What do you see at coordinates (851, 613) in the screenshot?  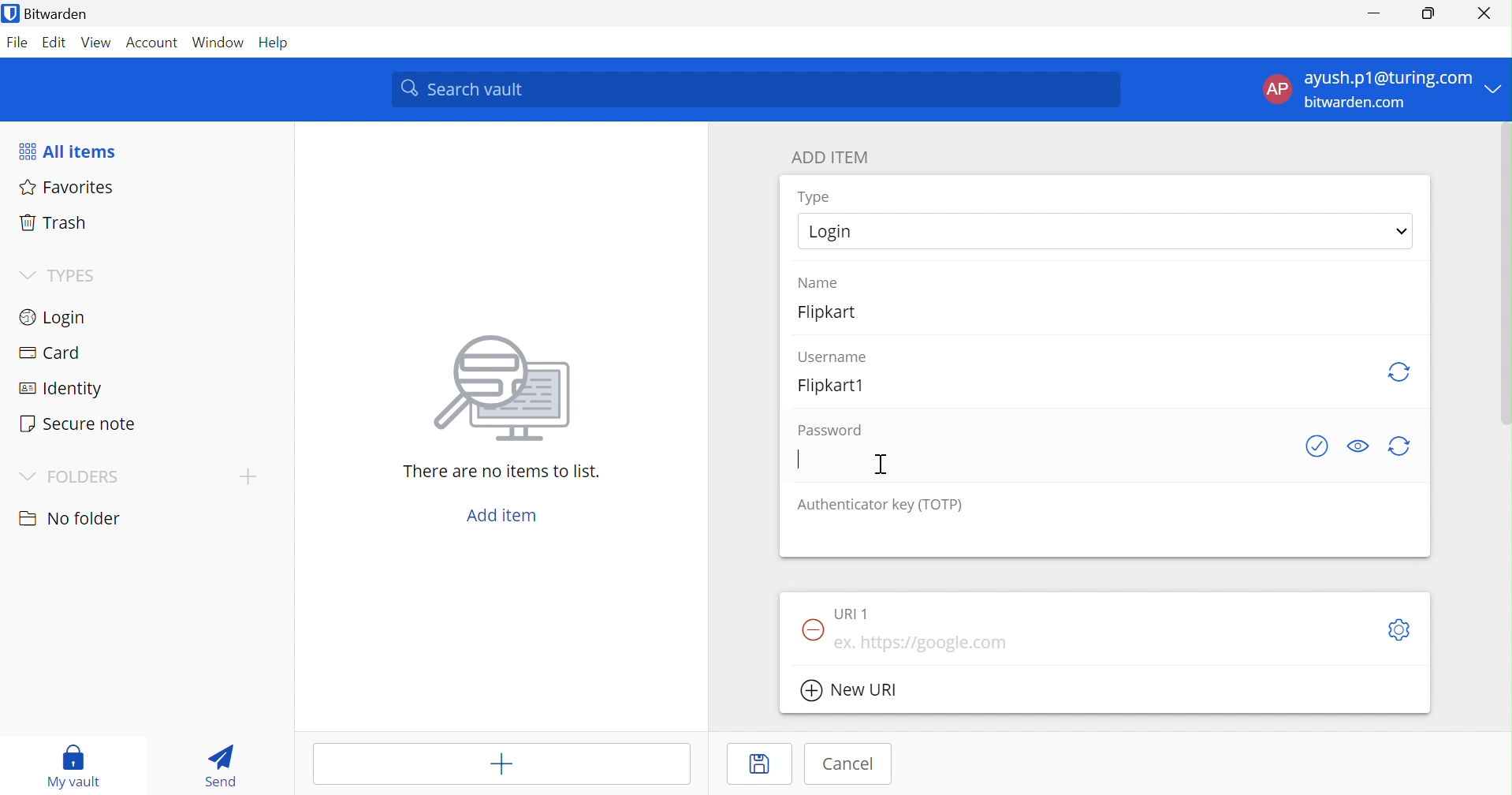 I see `URL 1` at bounding box center [851, 613].